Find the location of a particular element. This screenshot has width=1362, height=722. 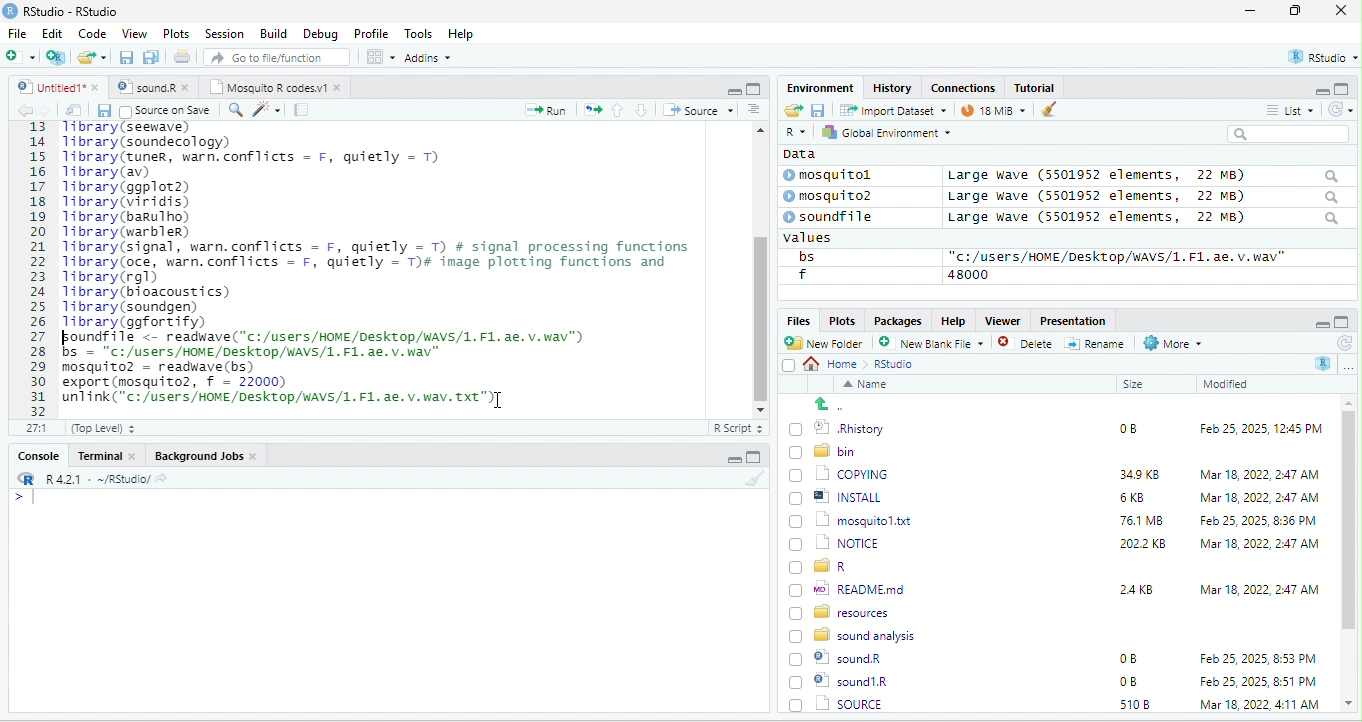

search is located at coordinates (235, 108).